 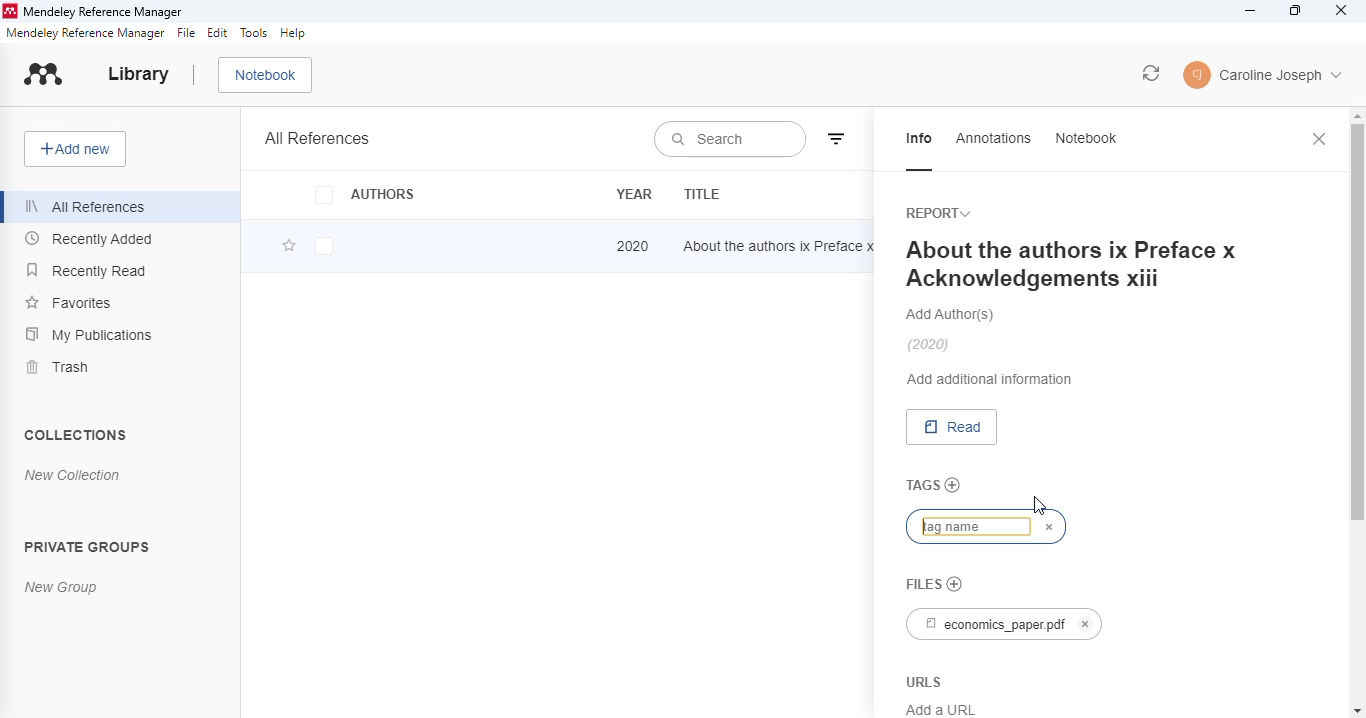 I want to click on all references, so click(x=85, y=206).